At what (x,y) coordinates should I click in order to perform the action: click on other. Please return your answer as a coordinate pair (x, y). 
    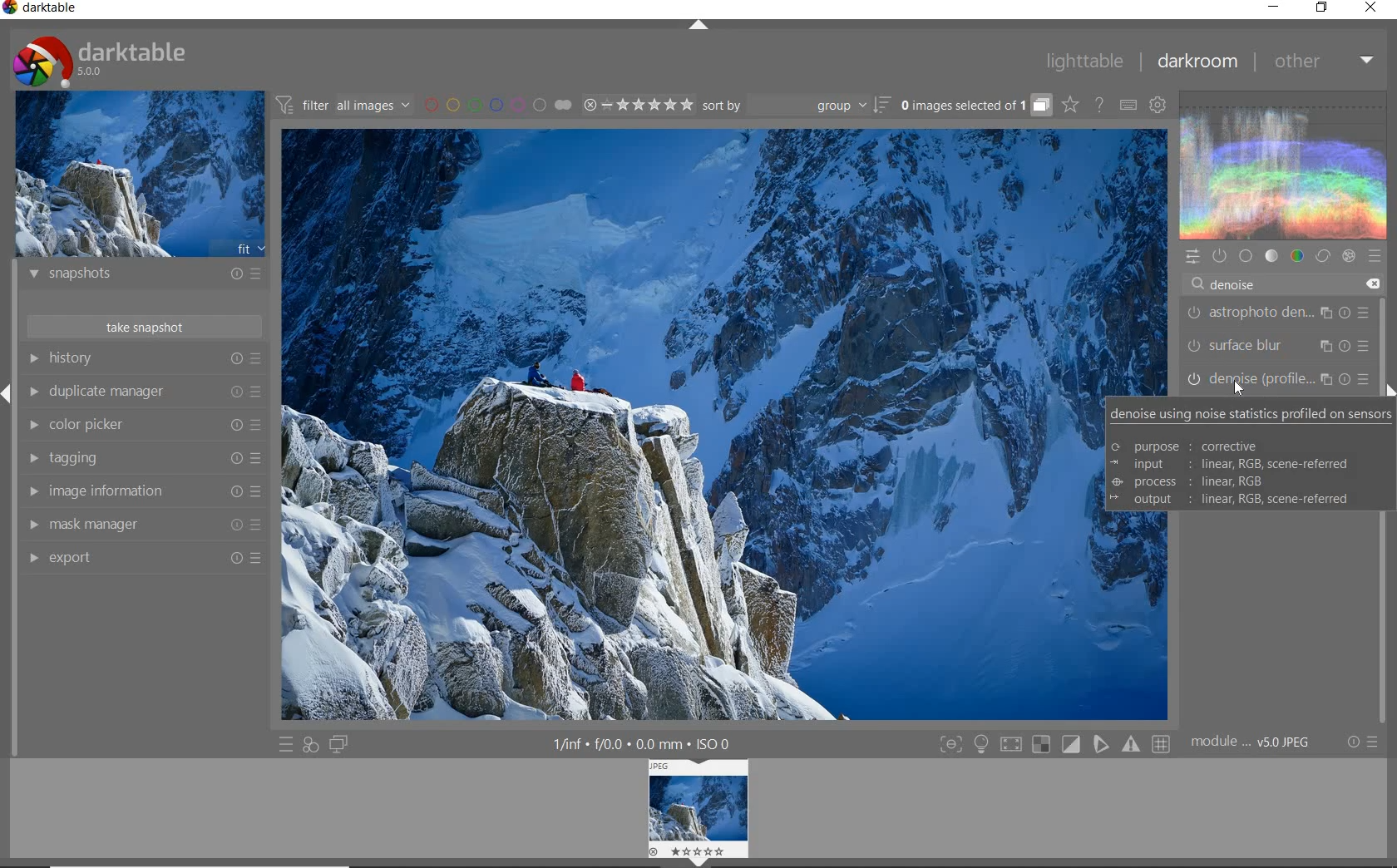
    Looking at the image, I should click on (1322, 62).